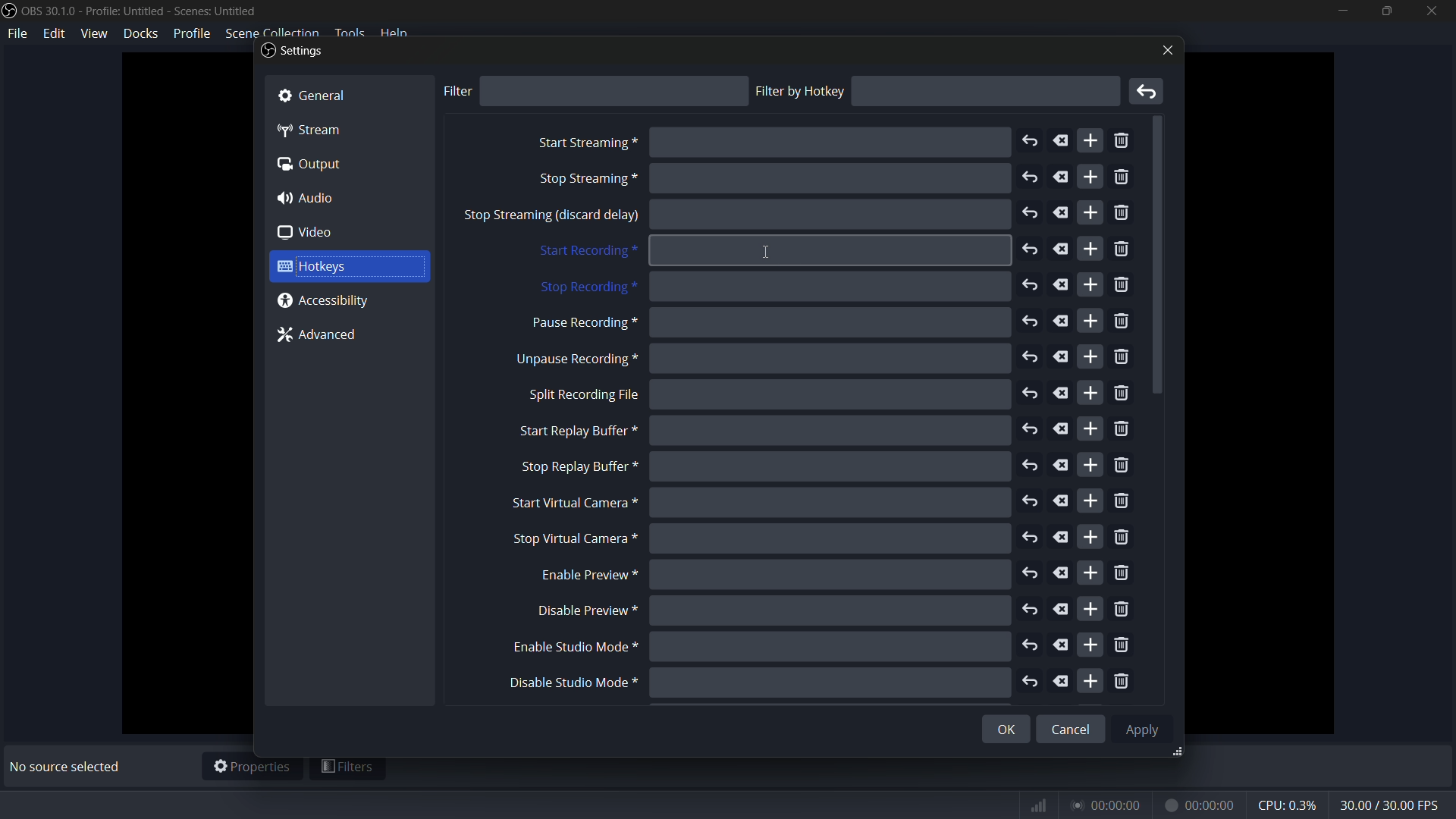  Describe the element at coordinates (581, 324) in the screenshot. I see `pause recording` at that location.